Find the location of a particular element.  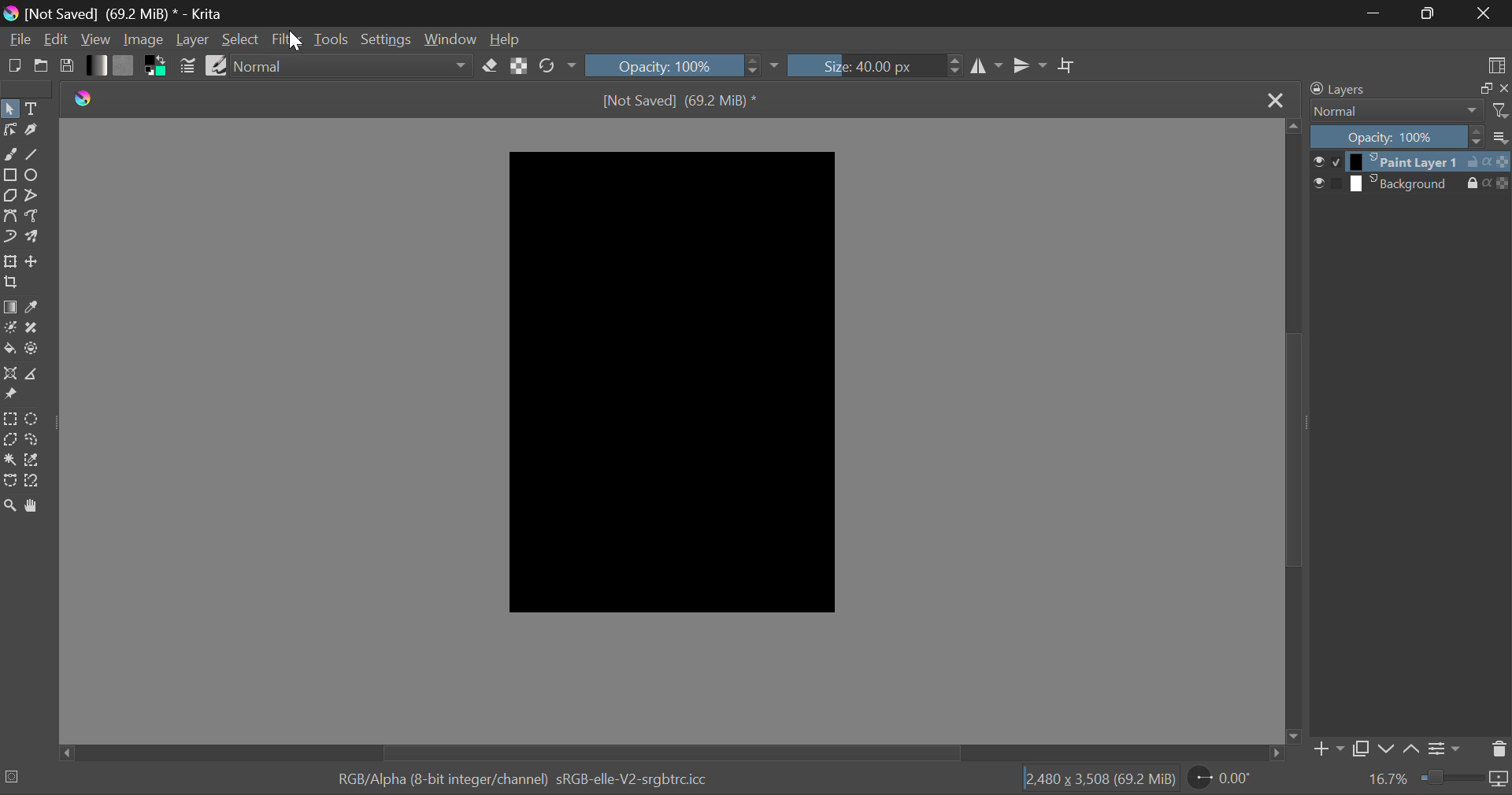

Close is located at coordinates (1484, 13).